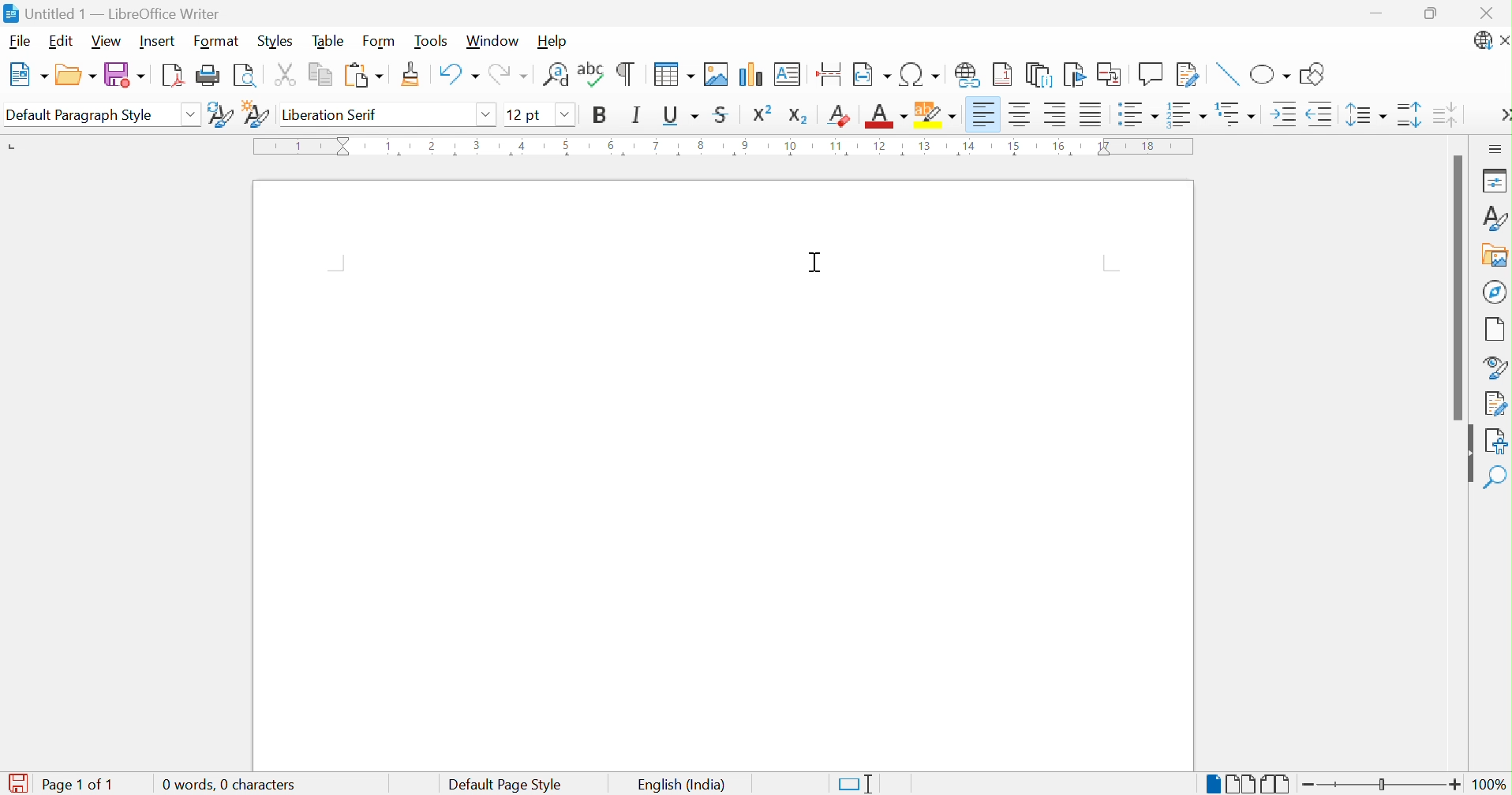 This screenshot has width=1512, height=795. Describe the element at coordinates (750, 73) in the screenshot. I see `Insert chart` at that location.